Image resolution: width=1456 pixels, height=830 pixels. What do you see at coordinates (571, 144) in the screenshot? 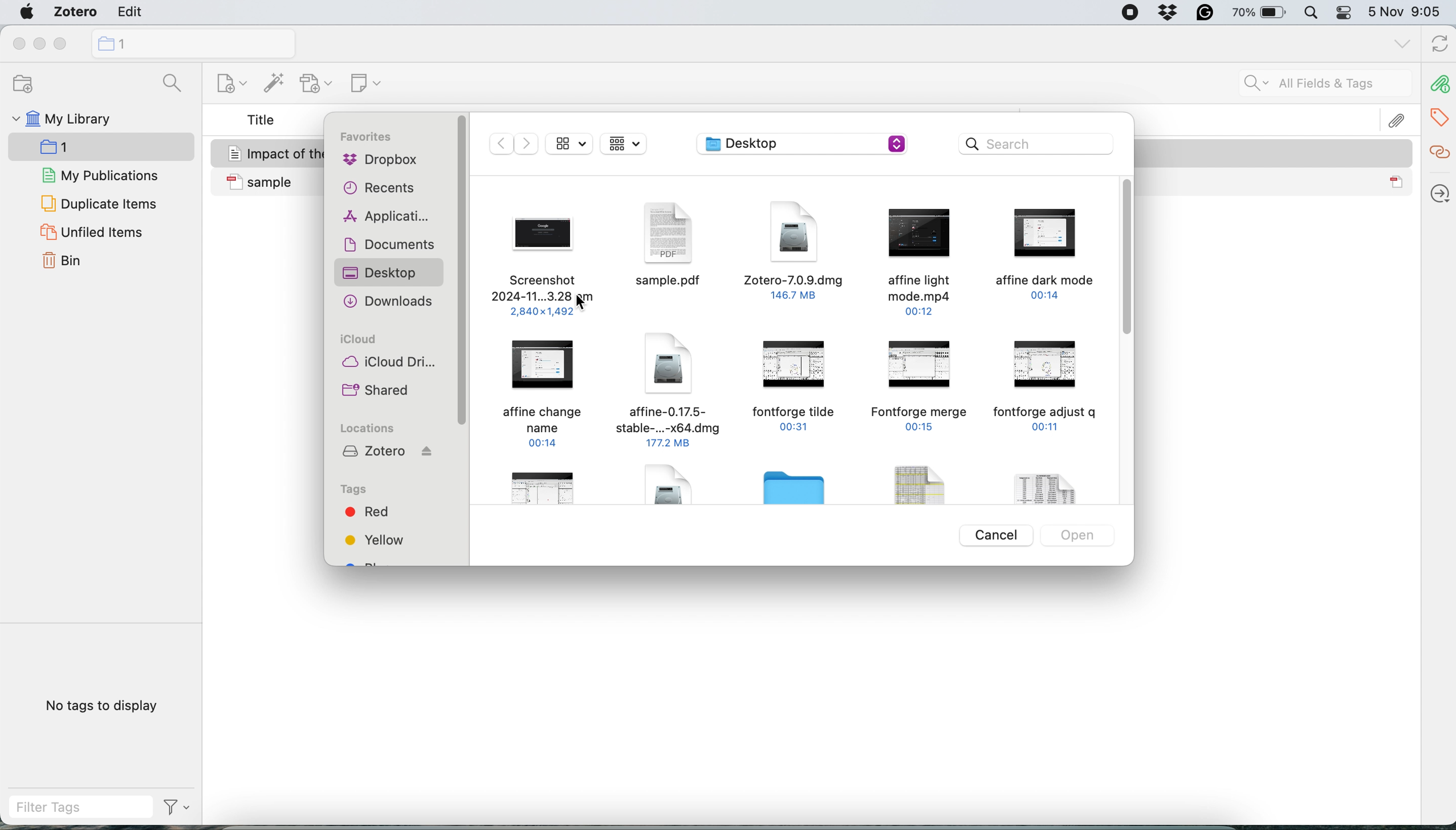
I see `display as` at bounding box center [571, 144].